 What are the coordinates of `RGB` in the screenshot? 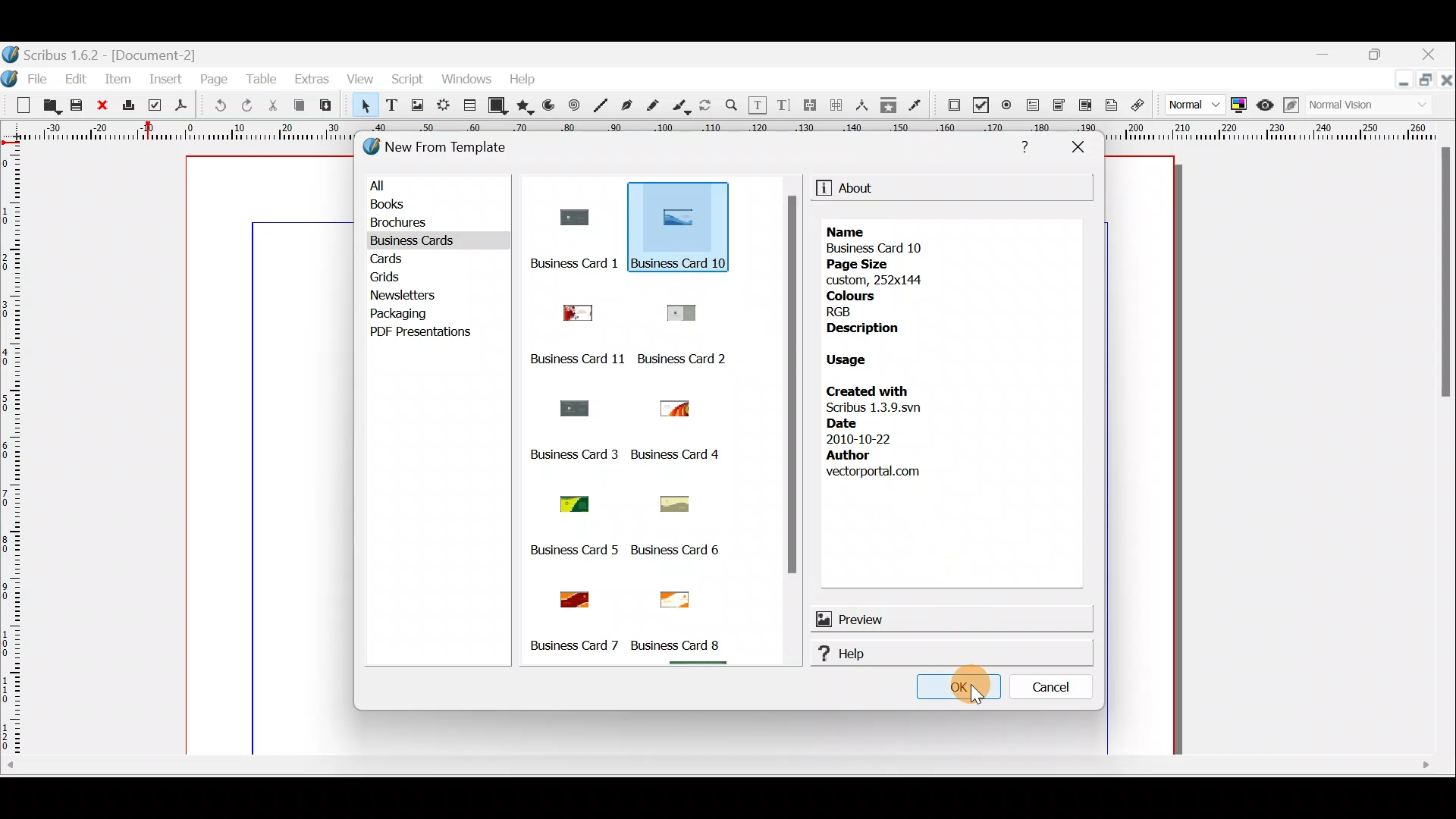 It's located at (846, 310).